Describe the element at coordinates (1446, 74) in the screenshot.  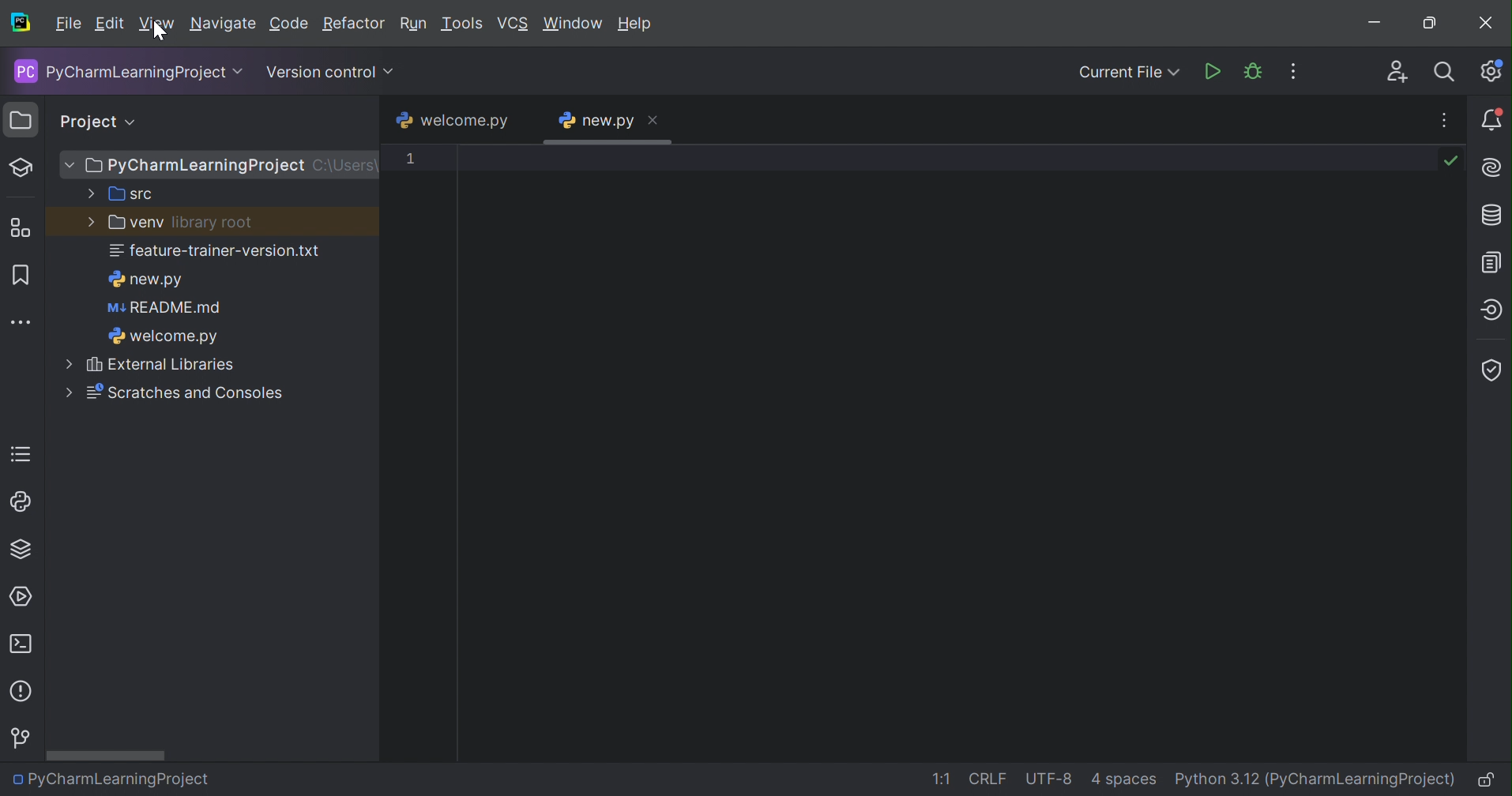
I see `Search everywhere` at that location.